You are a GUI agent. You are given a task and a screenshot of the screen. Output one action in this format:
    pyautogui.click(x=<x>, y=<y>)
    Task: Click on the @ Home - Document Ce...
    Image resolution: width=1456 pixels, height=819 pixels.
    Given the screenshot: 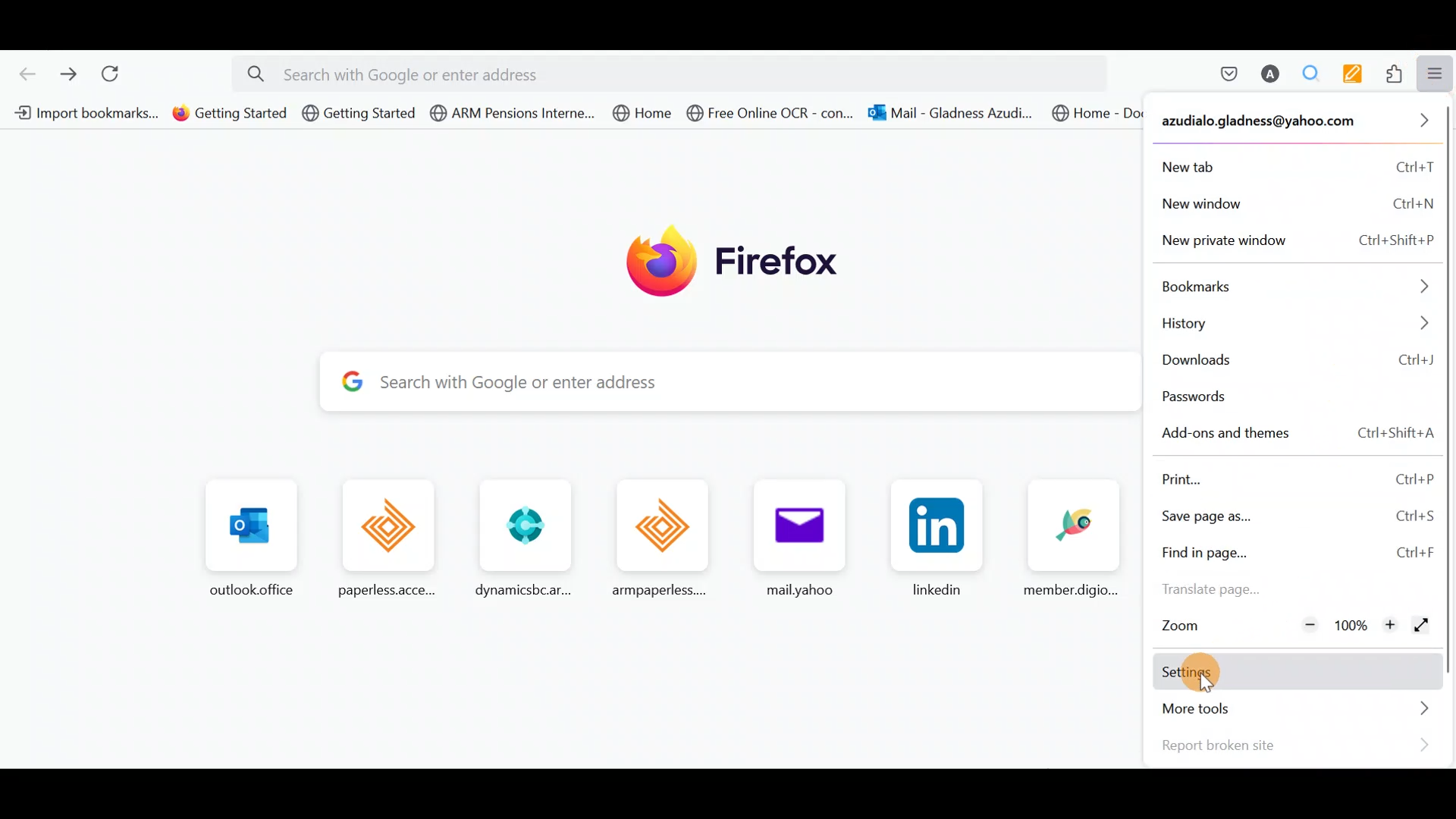 What is the action you would take?
    pyautogui.click(x=1082, y=112)
    